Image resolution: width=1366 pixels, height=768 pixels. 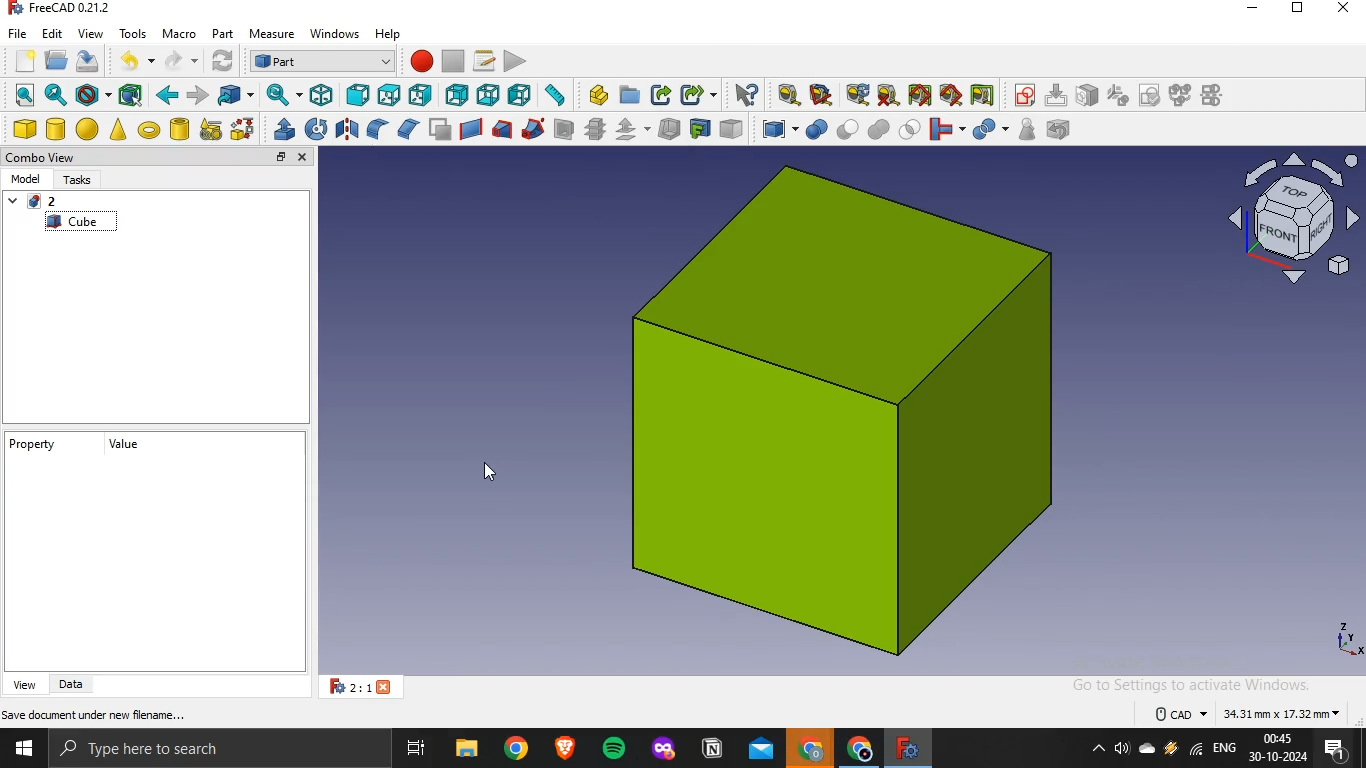 What do you see at coordinates (731, 129) in the screenshot?
I see `color per face` at bounding box center [731, 129].